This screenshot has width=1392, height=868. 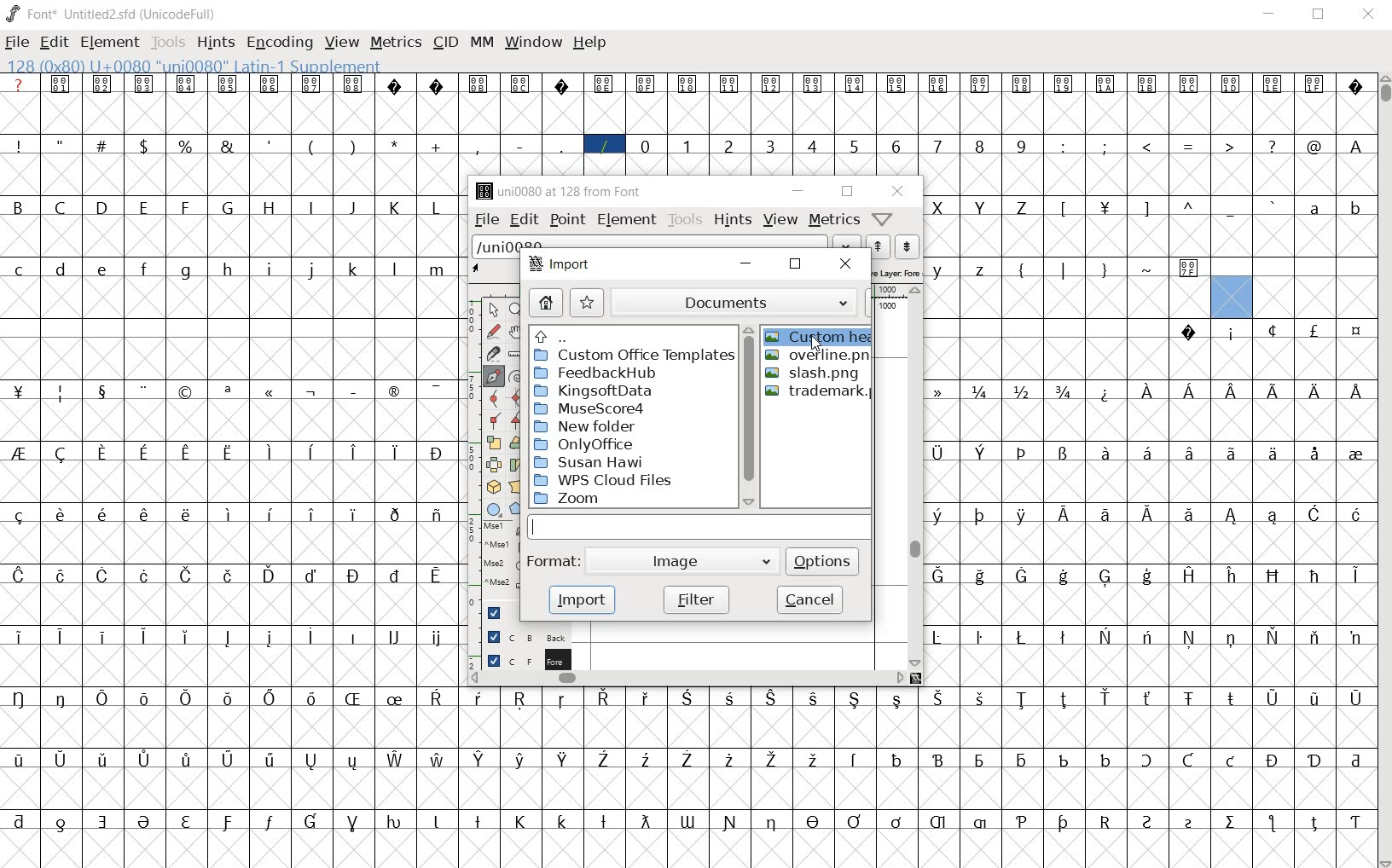 What do you see at coordinates (771, 85) in the screenshot?
I see `glyph` at bounding box center [771, 85].